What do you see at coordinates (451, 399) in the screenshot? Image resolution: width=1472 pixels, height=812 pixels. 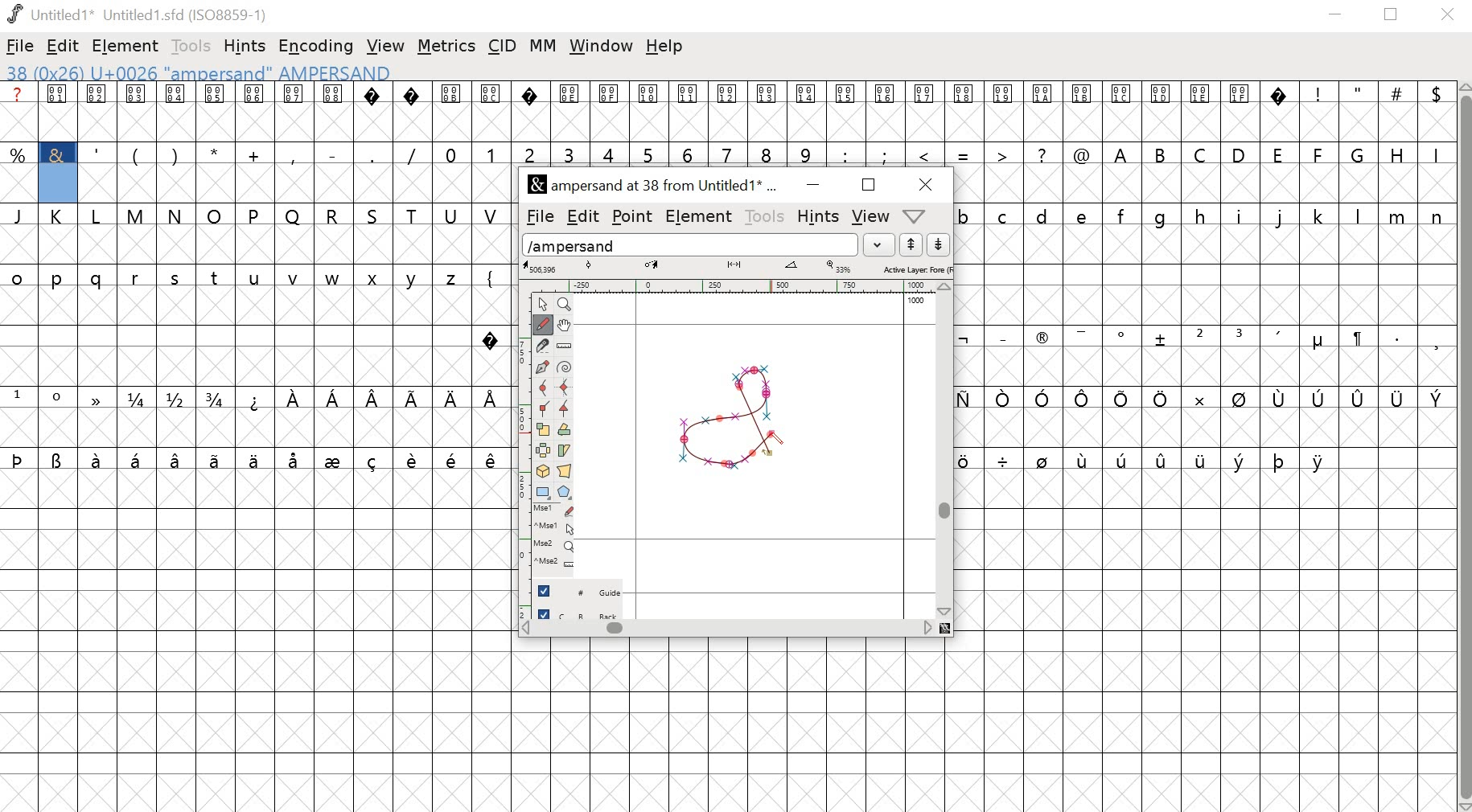 I see `symbol` at bounding box center [451, 399].